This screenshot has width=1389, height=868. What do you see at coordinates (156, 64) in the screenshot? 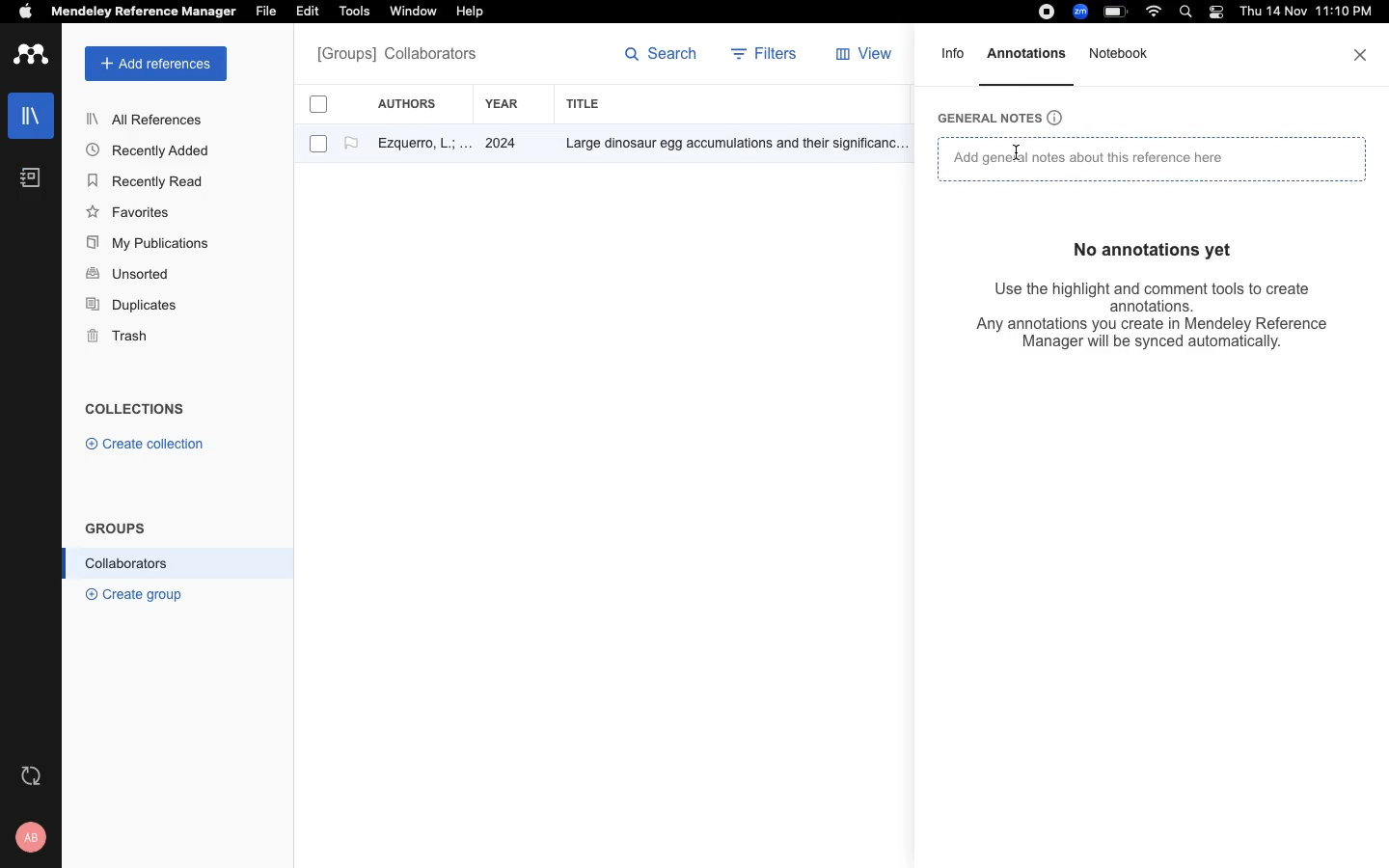
I see `add references` at bounding box center [156, 64].